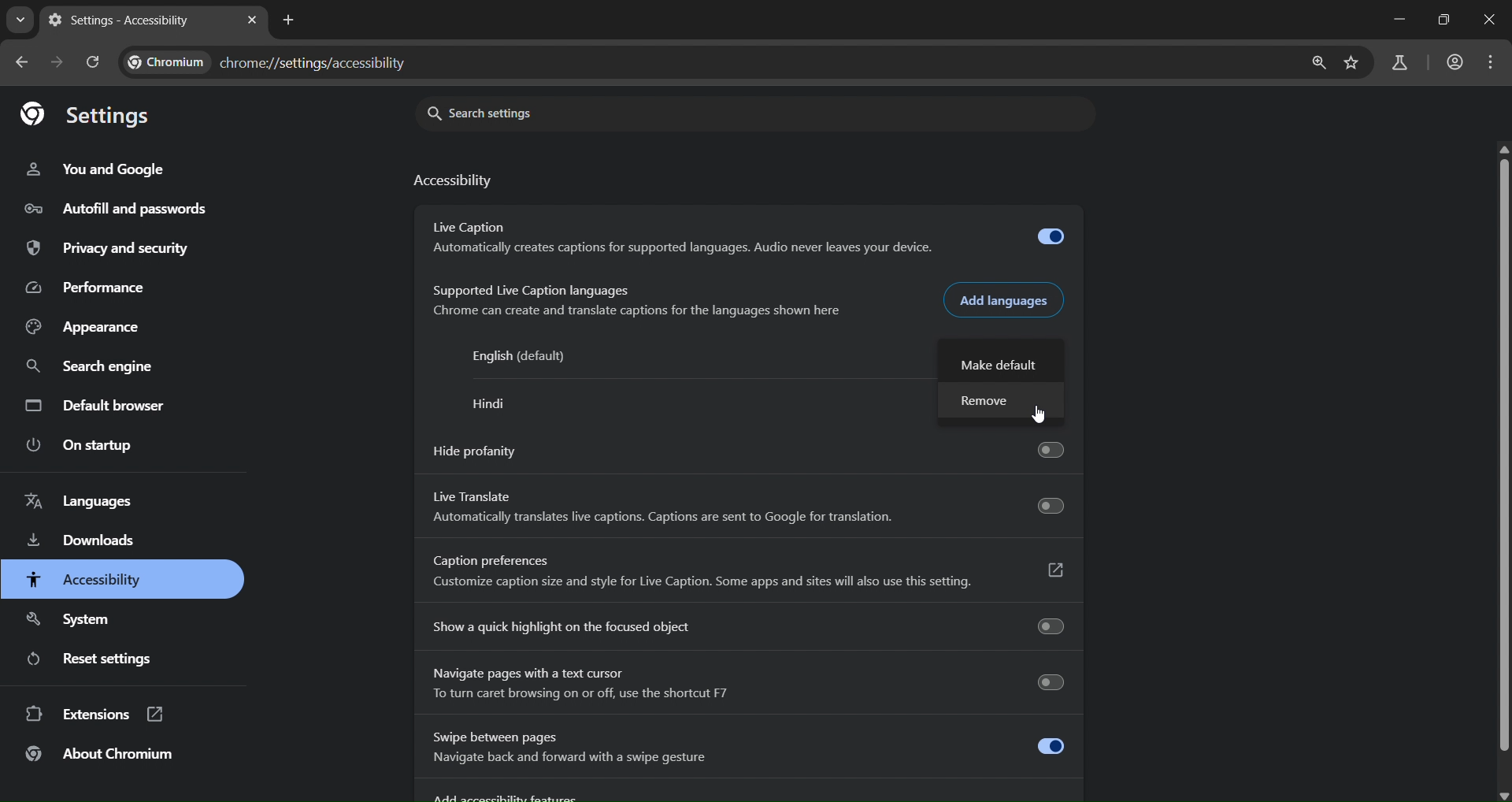 The width and height of the screenshot is (1512, 802). Describe the element at coordinates (94, 65) in the screenshot. I see `reload pages` at that location.